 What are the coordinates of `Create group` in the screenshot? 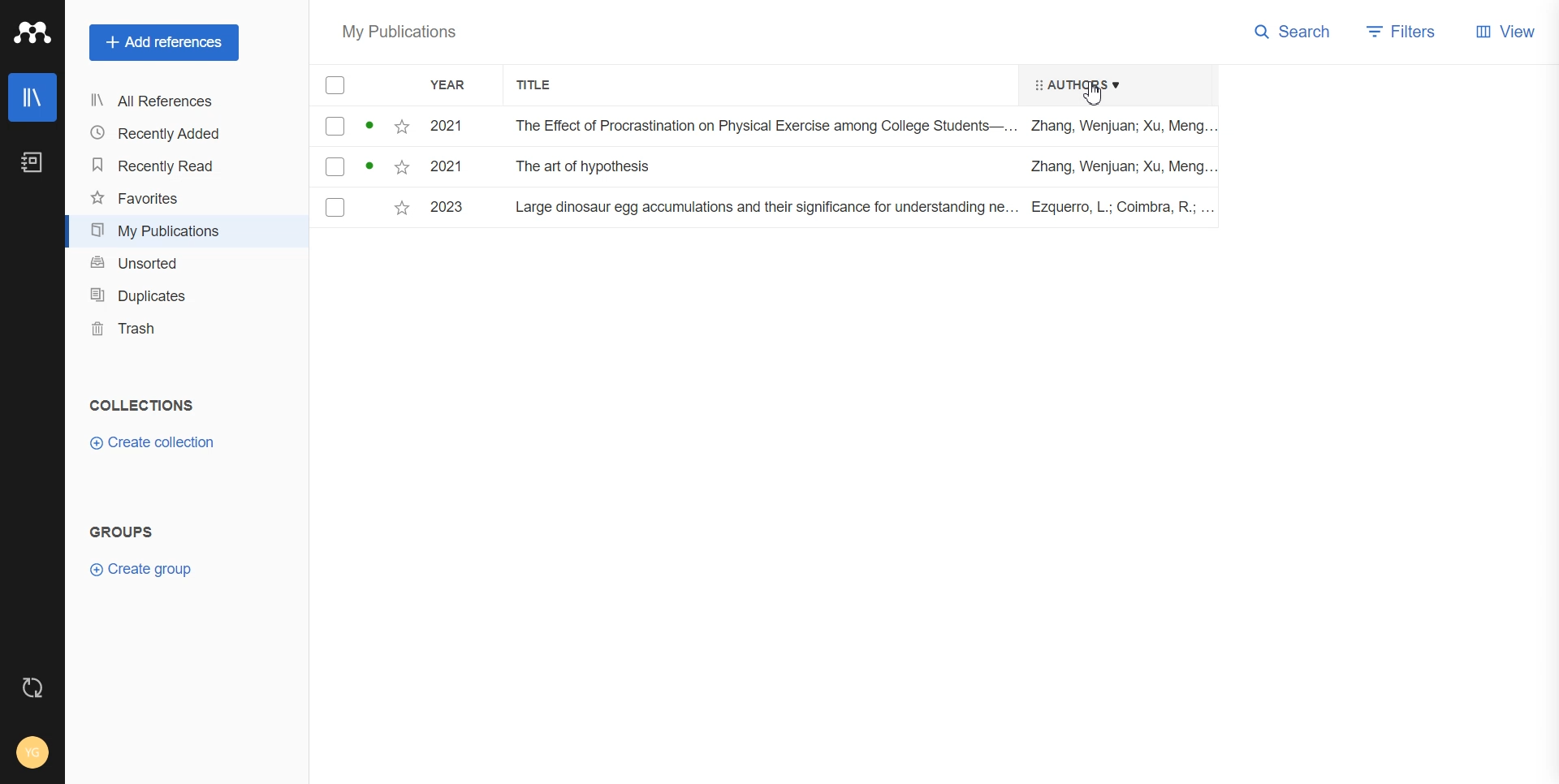 It's located at (146, 569).